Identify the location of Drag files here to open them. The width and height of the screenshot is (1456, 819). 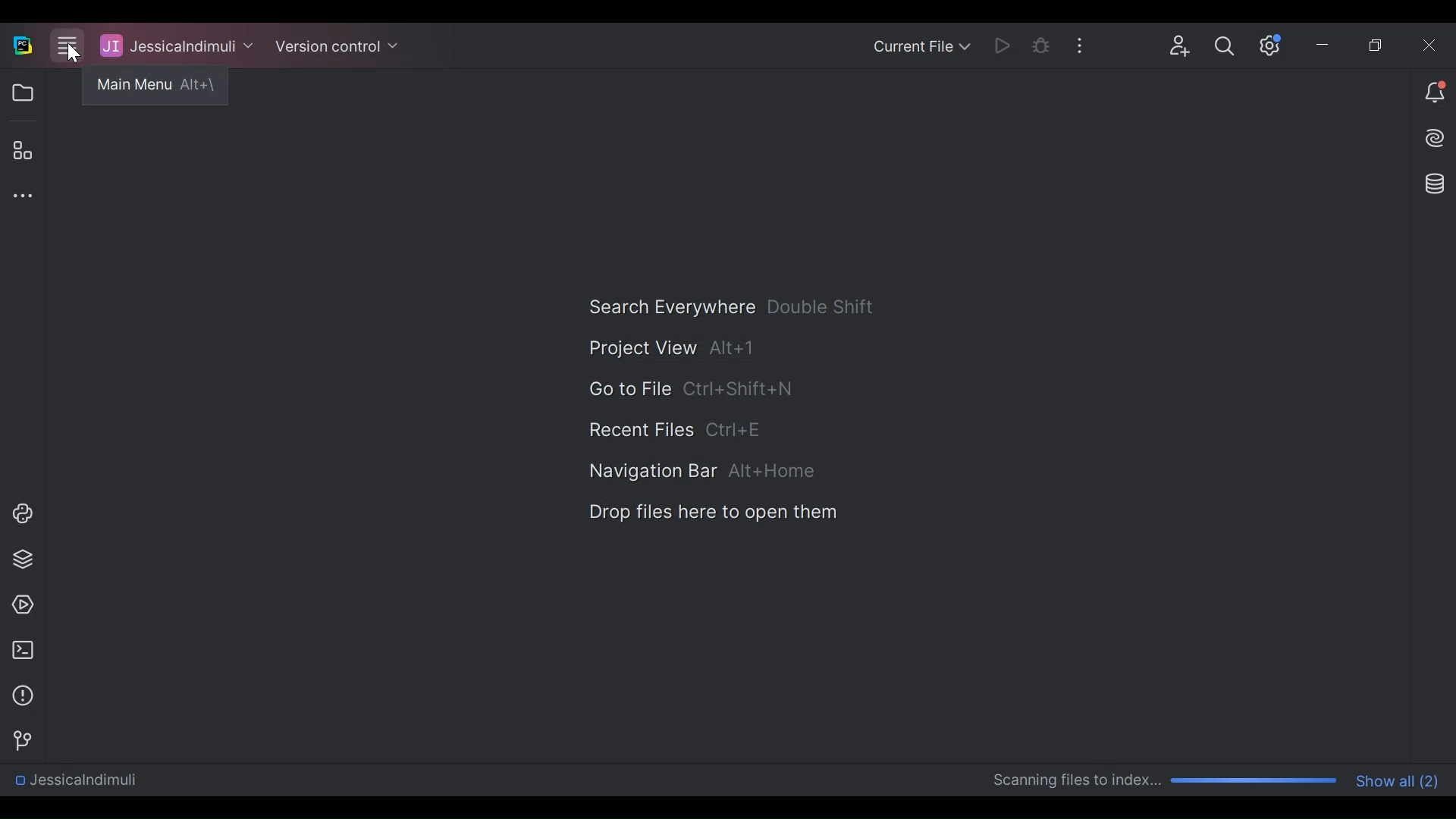
(711, 512).